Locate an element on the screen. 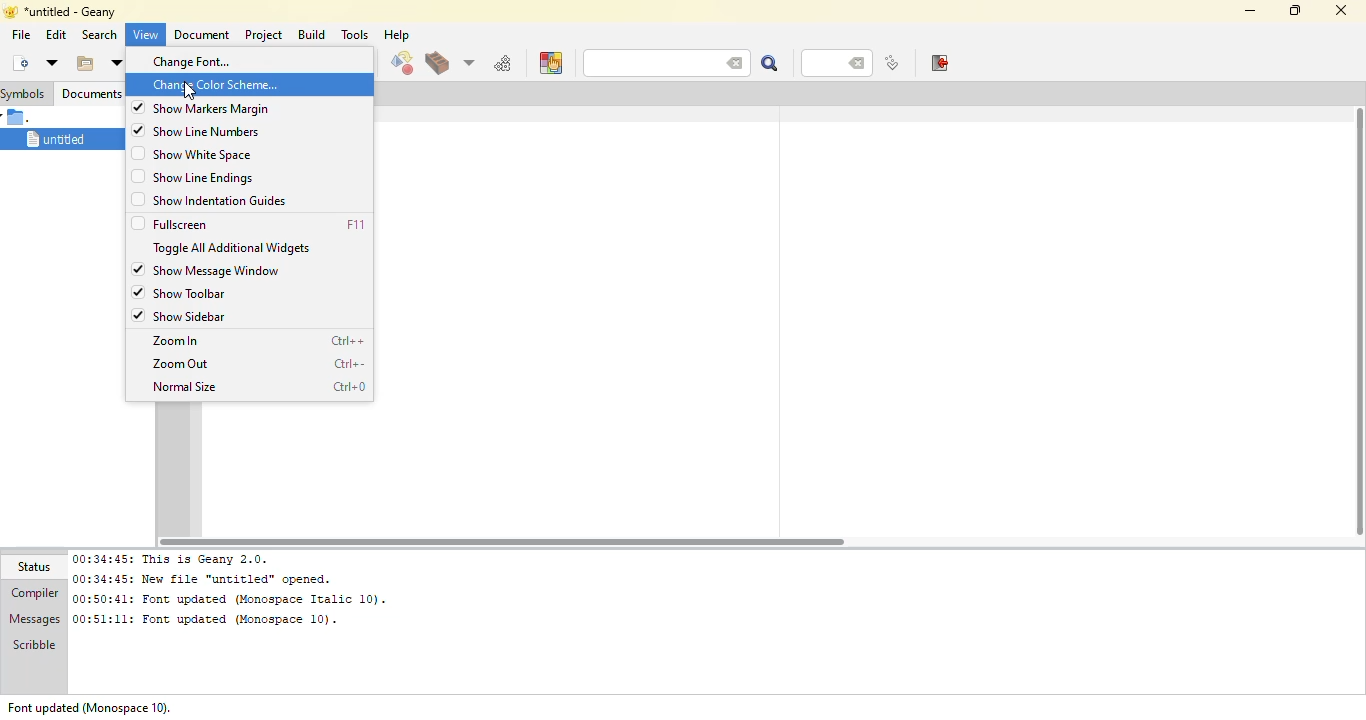  ctrl++ is located at coordinates (348, 341).